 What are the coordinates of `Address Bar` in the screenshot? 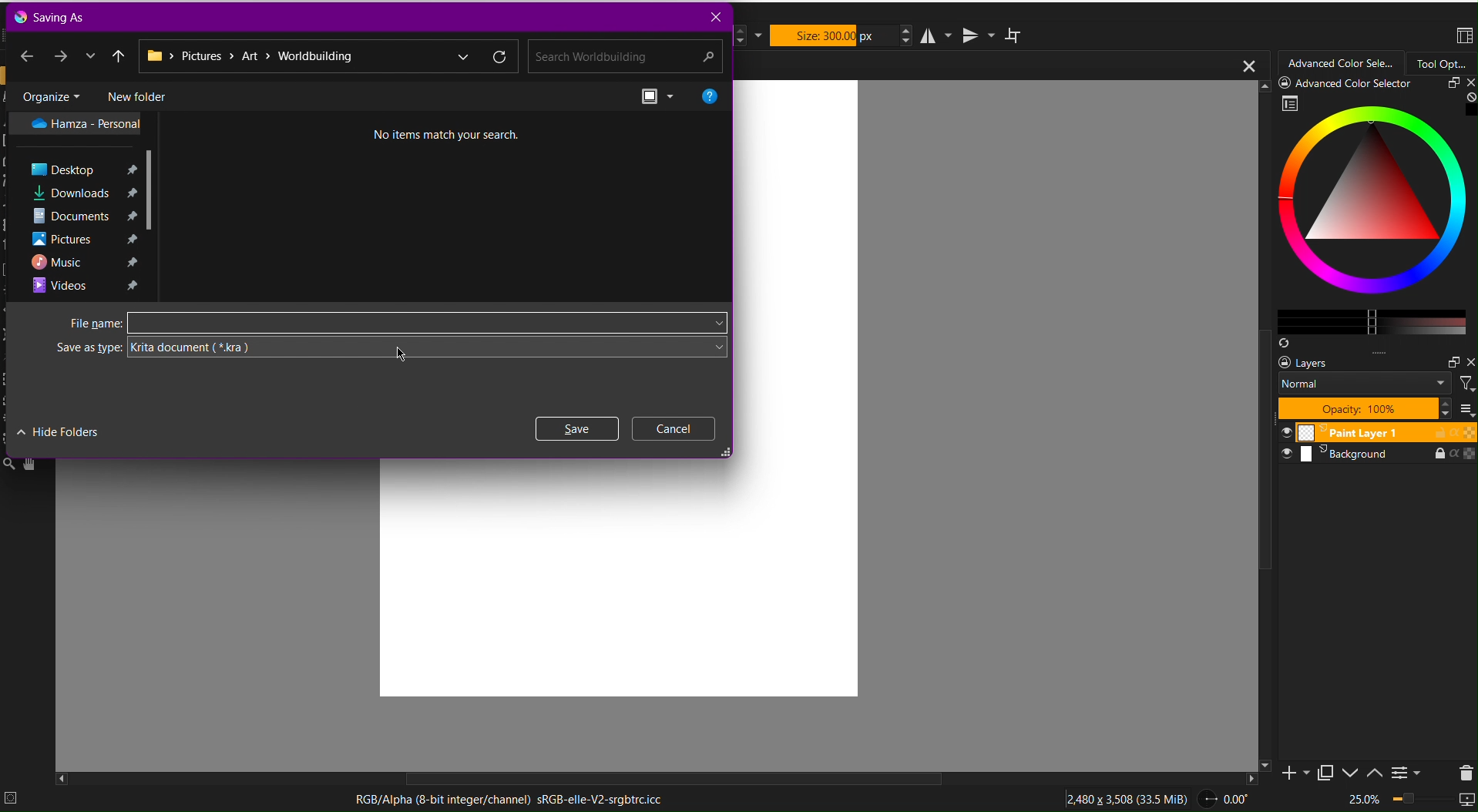 It's located at (328, 57).